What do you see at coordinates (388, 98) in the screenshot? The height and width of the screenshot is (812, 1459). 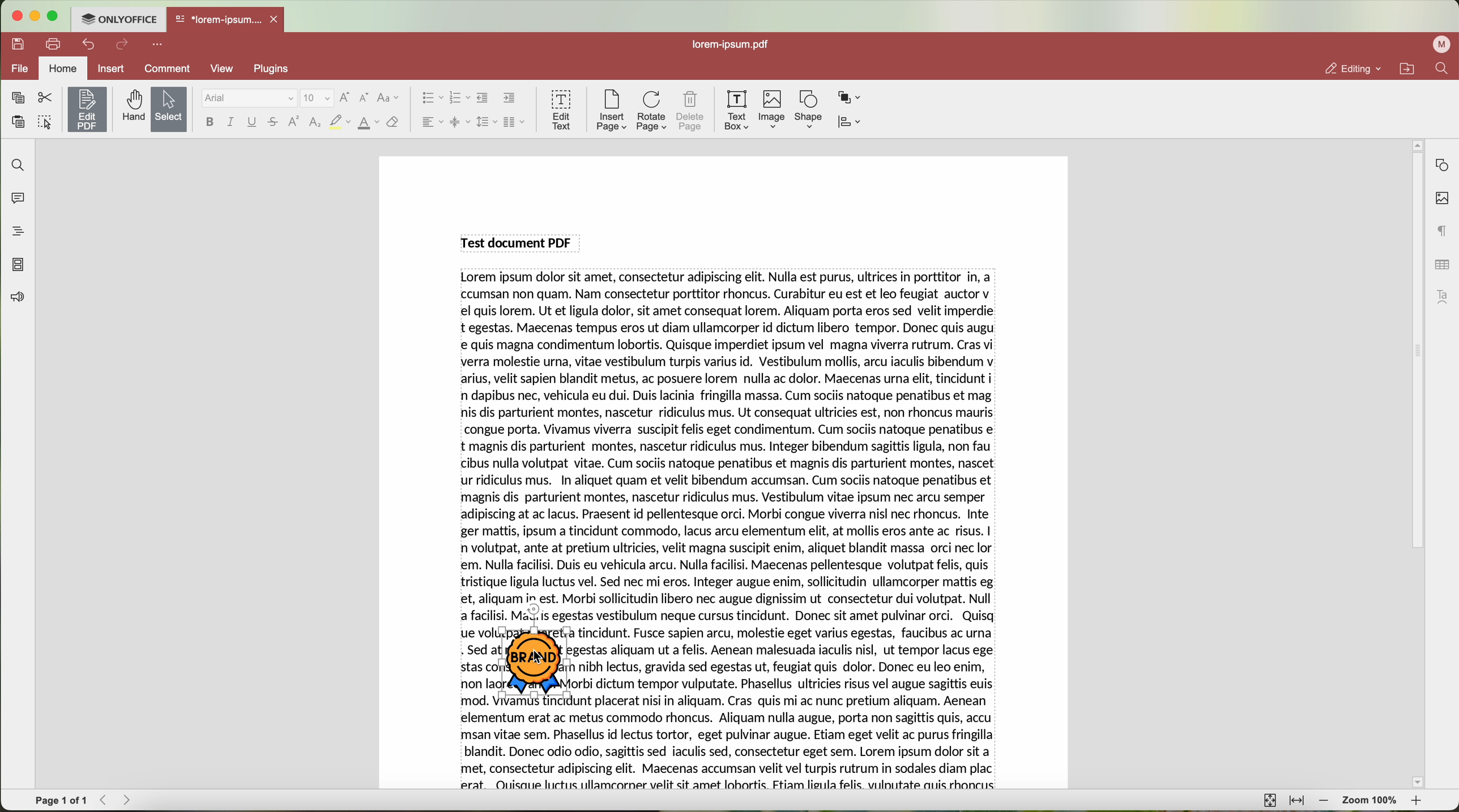 I see `change case` at bounding box center [388, 98].